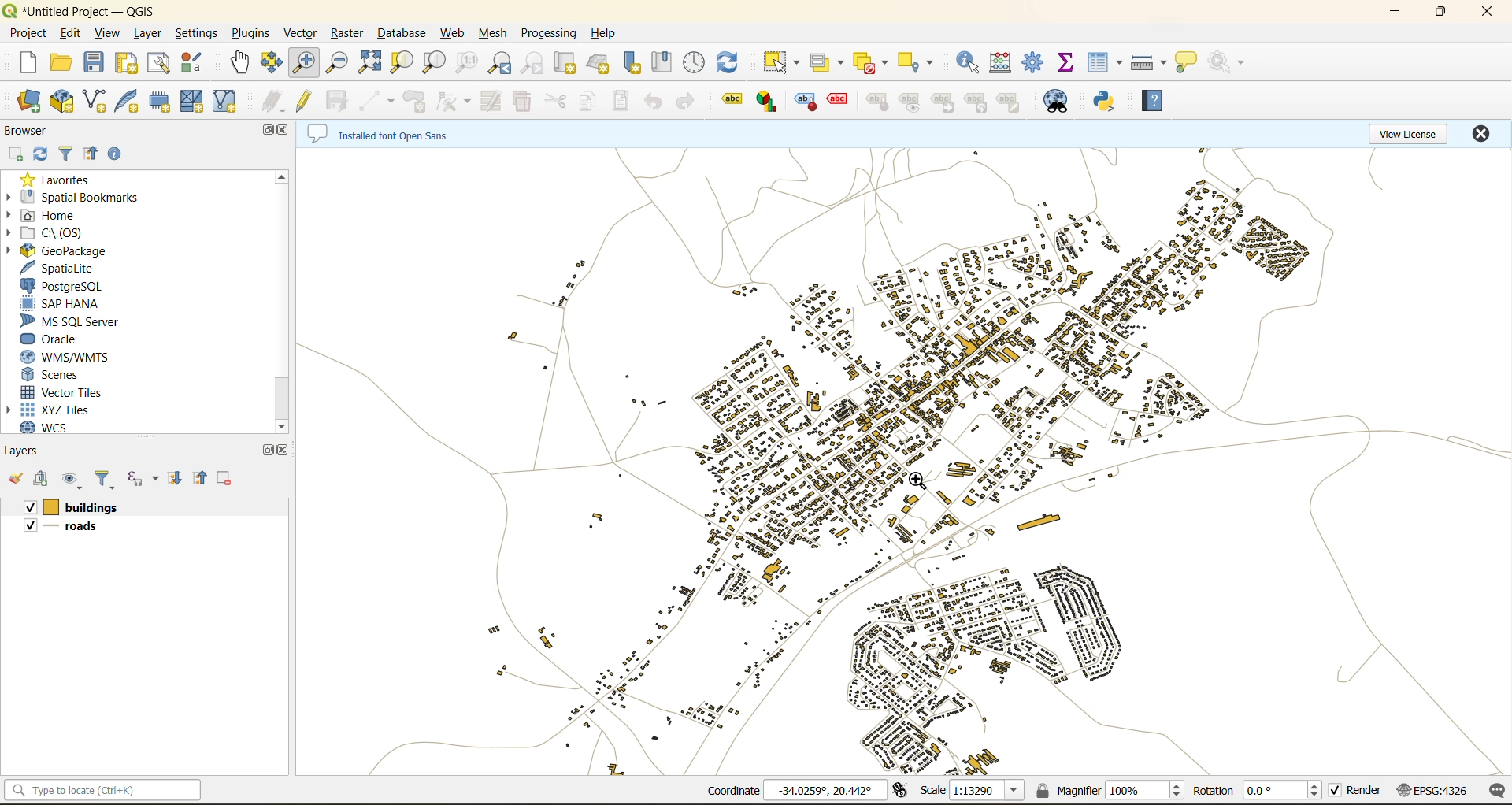 This screenshot has height=805, width=1512. Describe the element at coordinates (270, 102) in the screenshot. I see `edits` at that location.